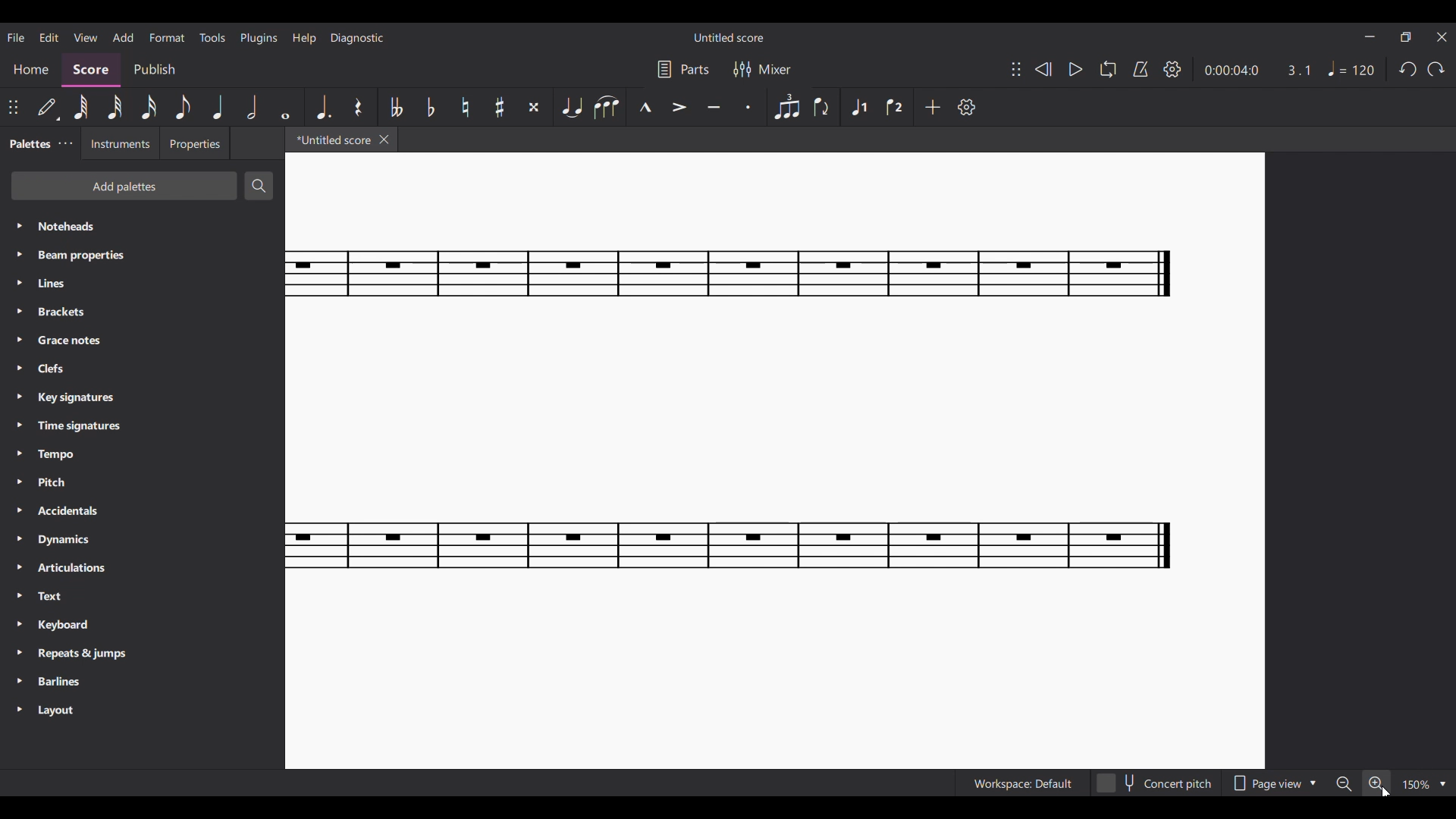  Describe the element at coordinates (86, 37) in the screenshot. I see `View menu` at that location.